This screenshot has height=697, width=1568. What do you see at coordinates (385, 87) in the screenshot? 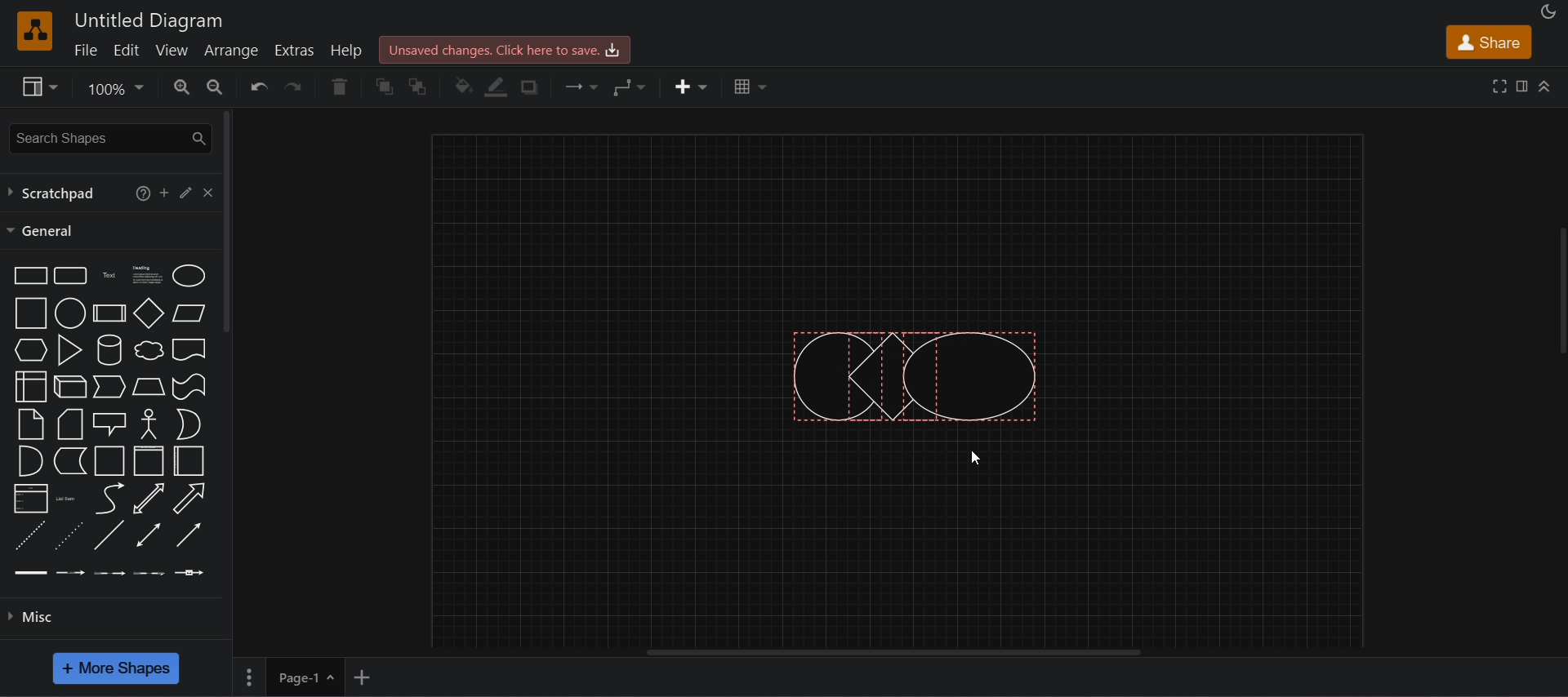
I see `to front` at bounding box center [385, 87].